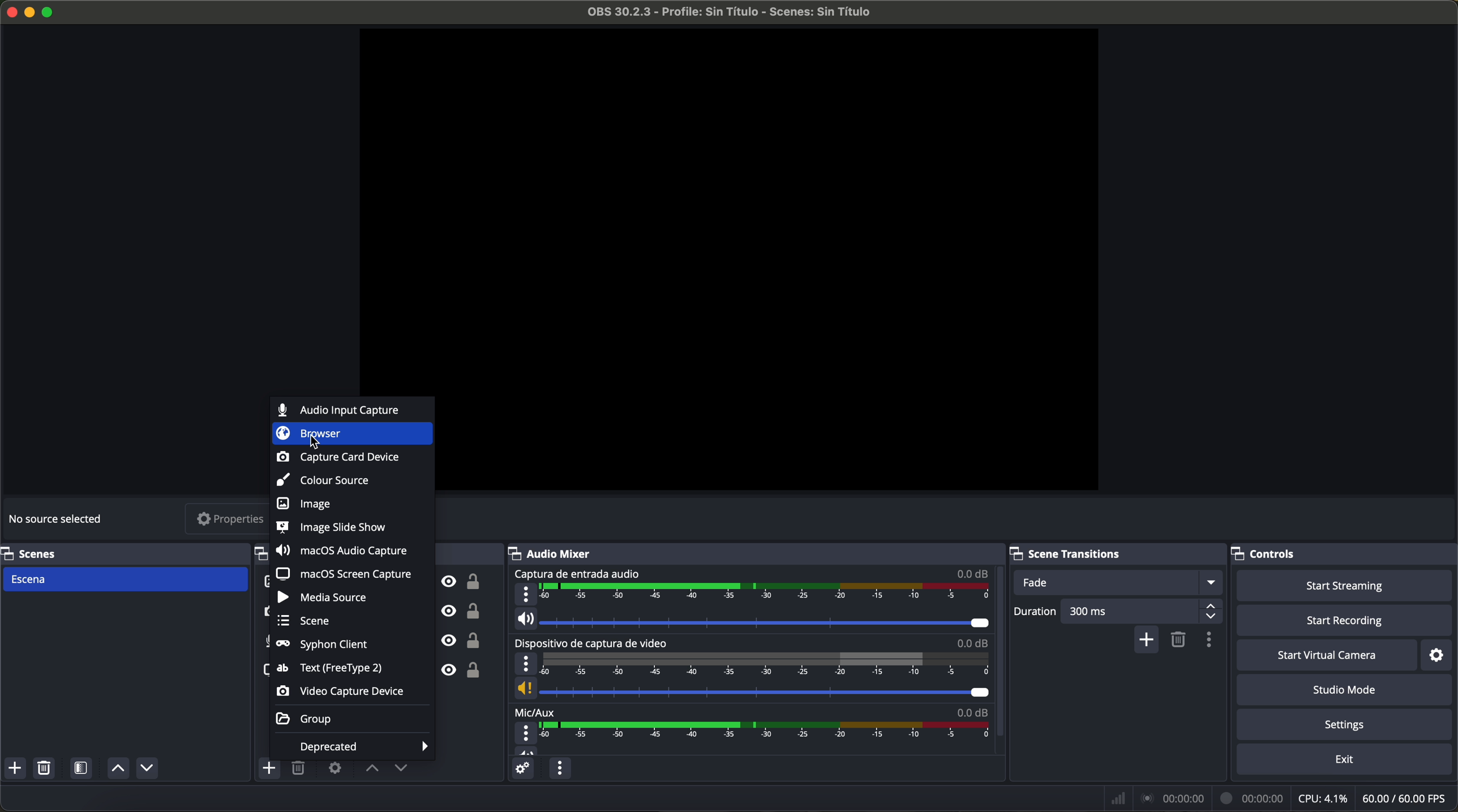 This screenshot has height=812, width=1458. Describe the element at coordinates (1348, 760) in the screenshot. I see `exit` at that location.